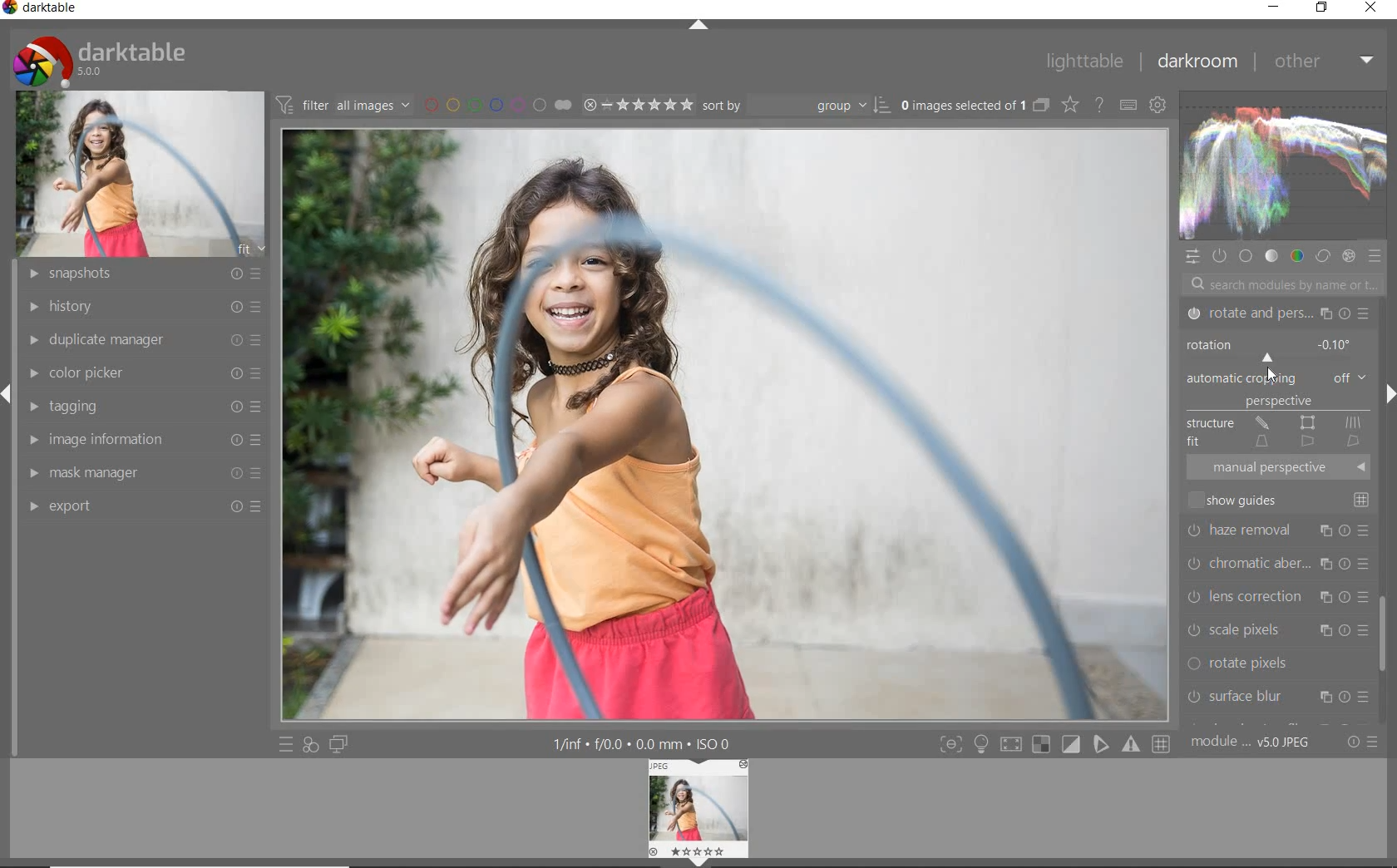  What do you see at coordinates (1372, 7) in the screenshot?
I see `close` at bounding box center [1372, 7].